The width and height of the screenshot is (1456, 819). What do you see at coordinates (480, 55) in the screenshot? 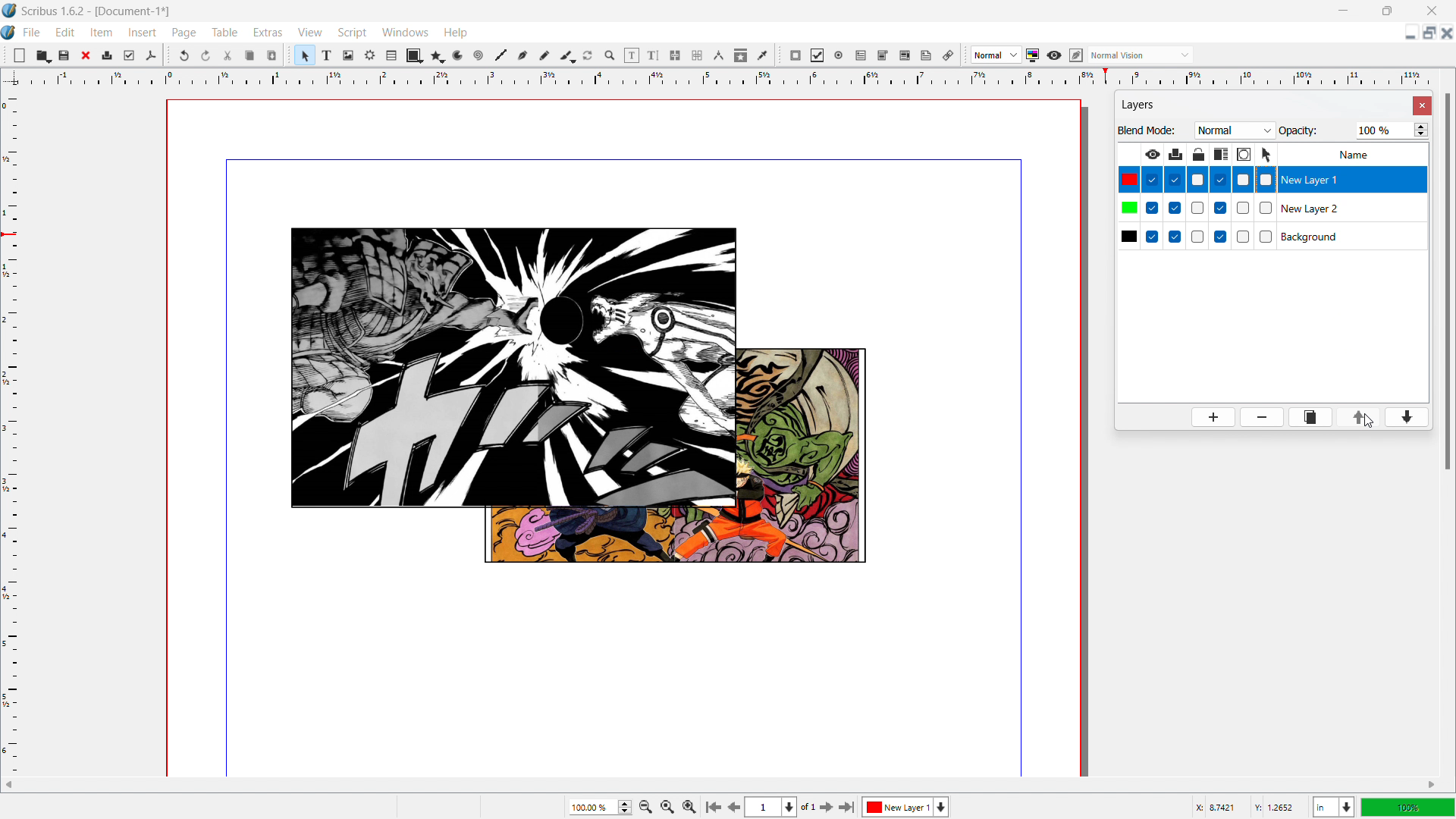
I see `line` at bounding box center [480, 55].